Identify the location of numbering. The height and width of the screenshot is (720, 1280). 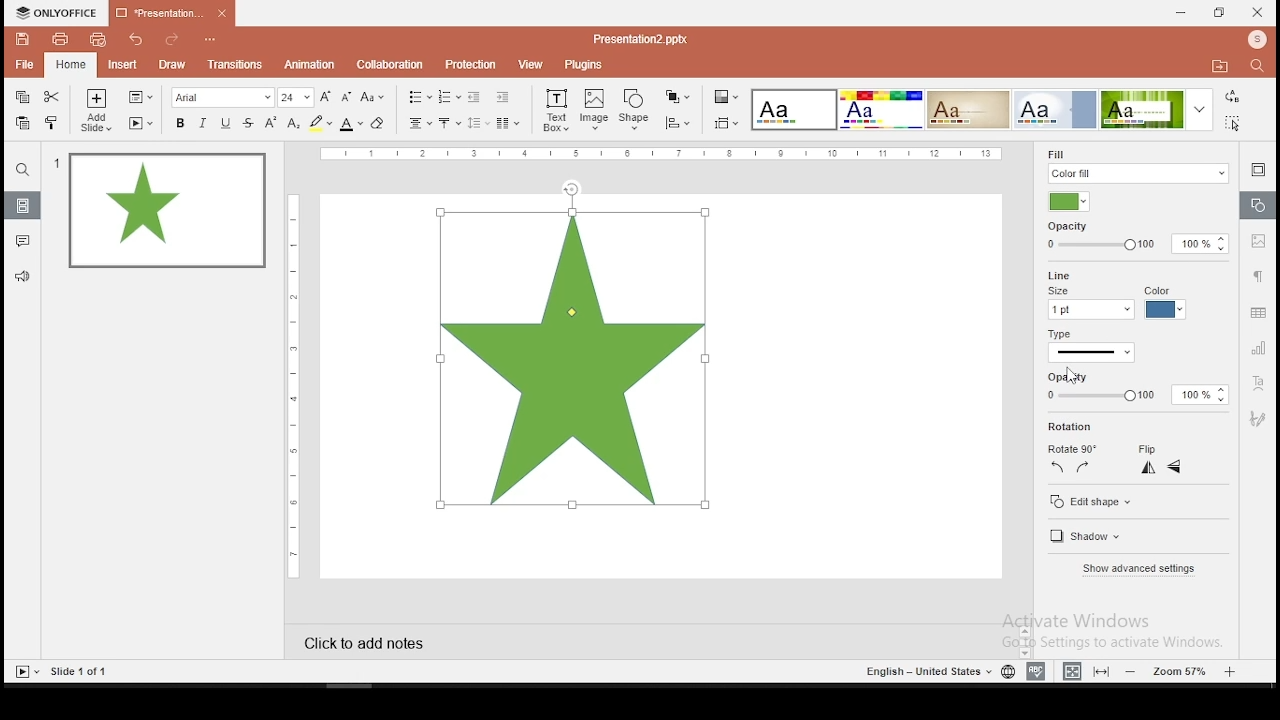
(450, 96).